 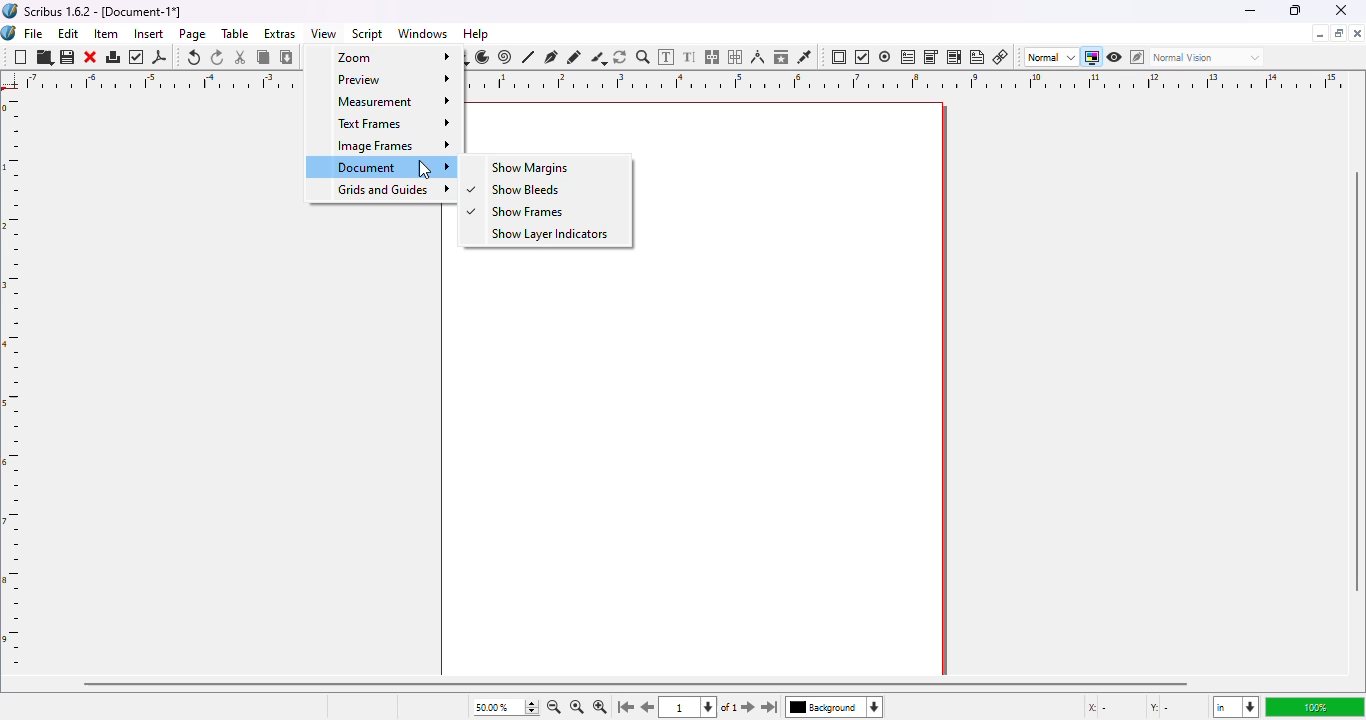 What do you see at coordinates (552, 167) in the screenshot?
I see `show margins` at bounding box center [552, 167].